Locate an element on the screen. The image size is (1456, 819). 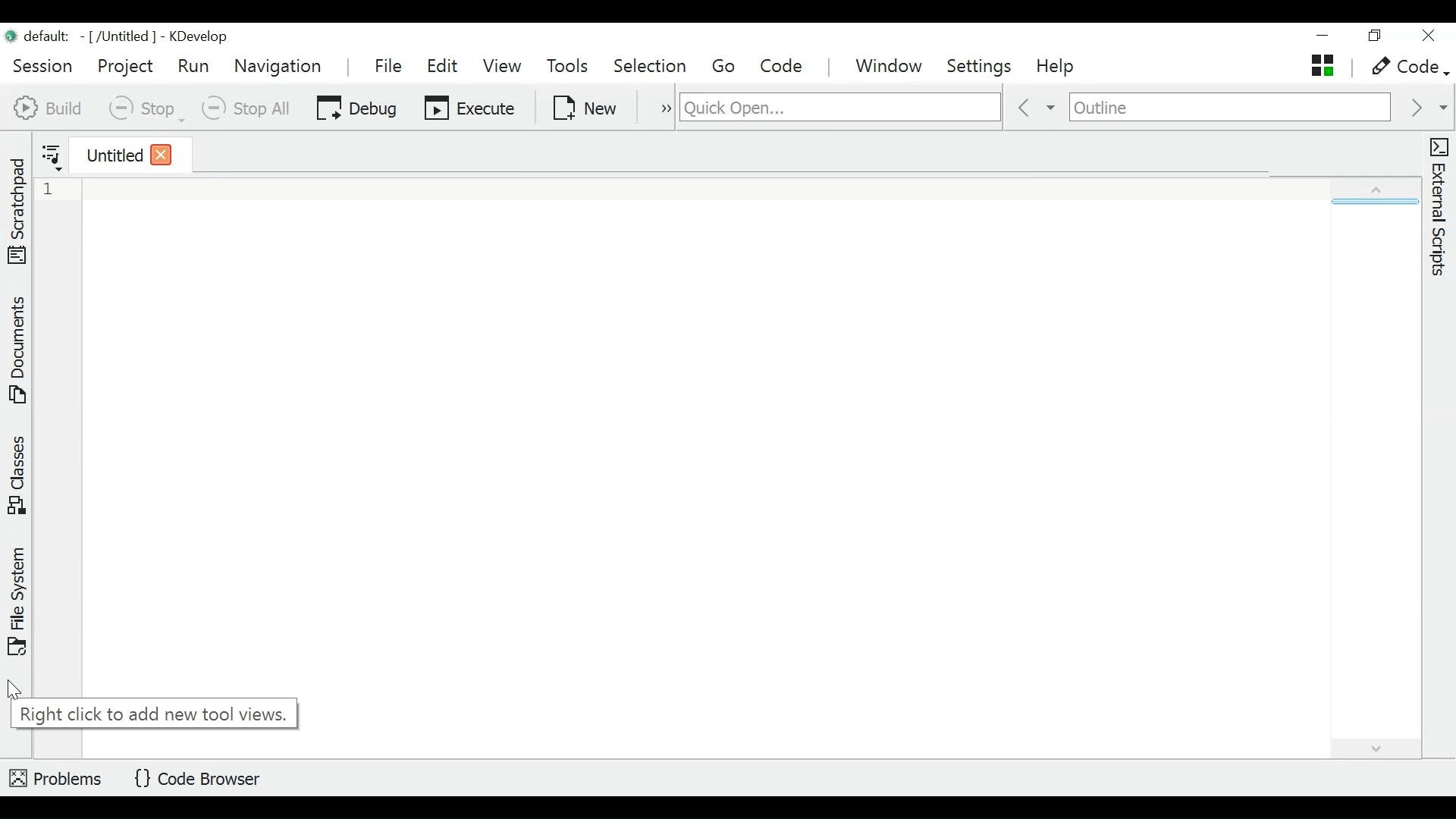
Code is located at coordinates (786, 66).